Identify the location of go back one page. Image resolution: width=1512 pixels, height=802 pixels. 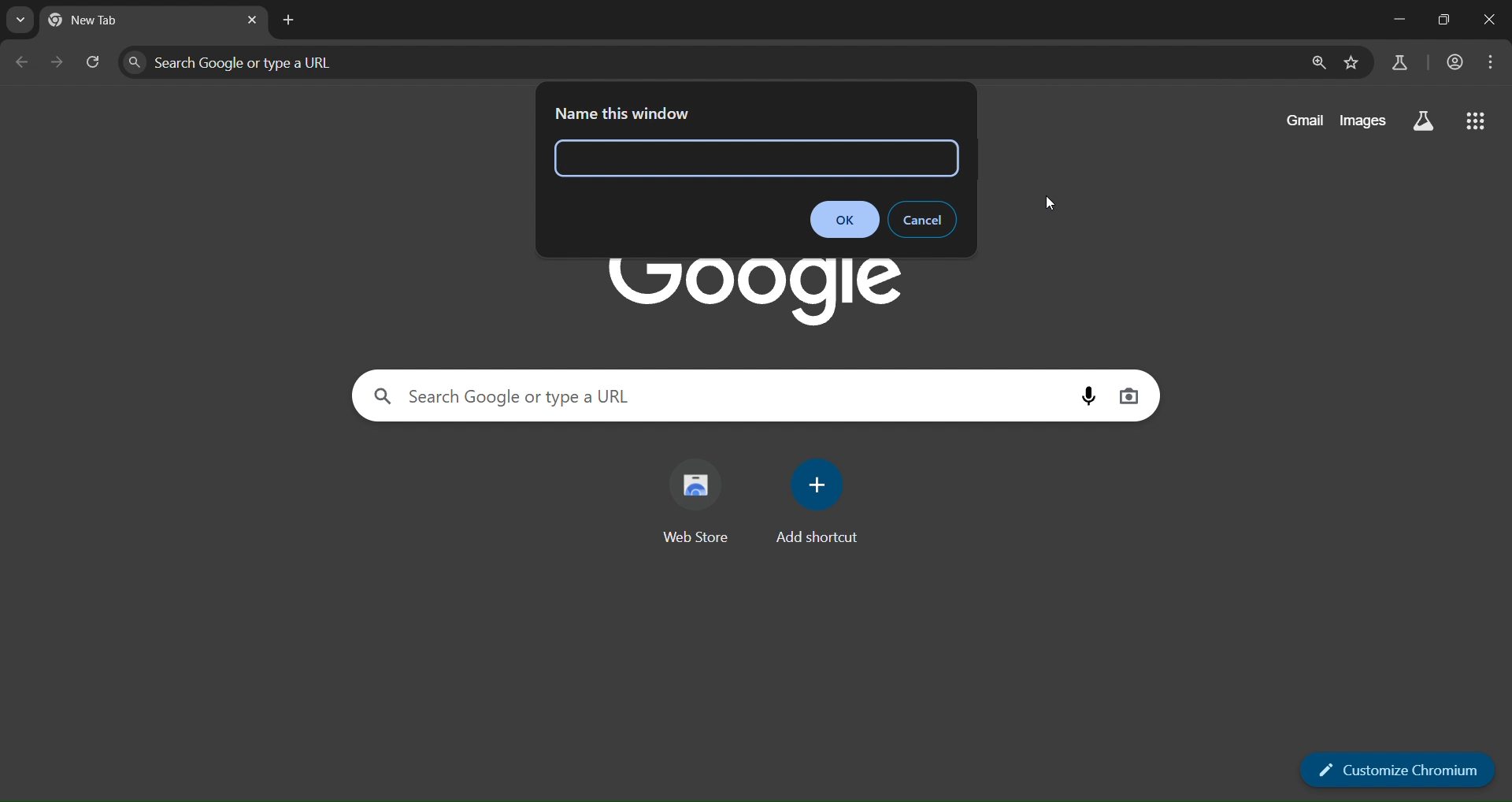
(24, 60).